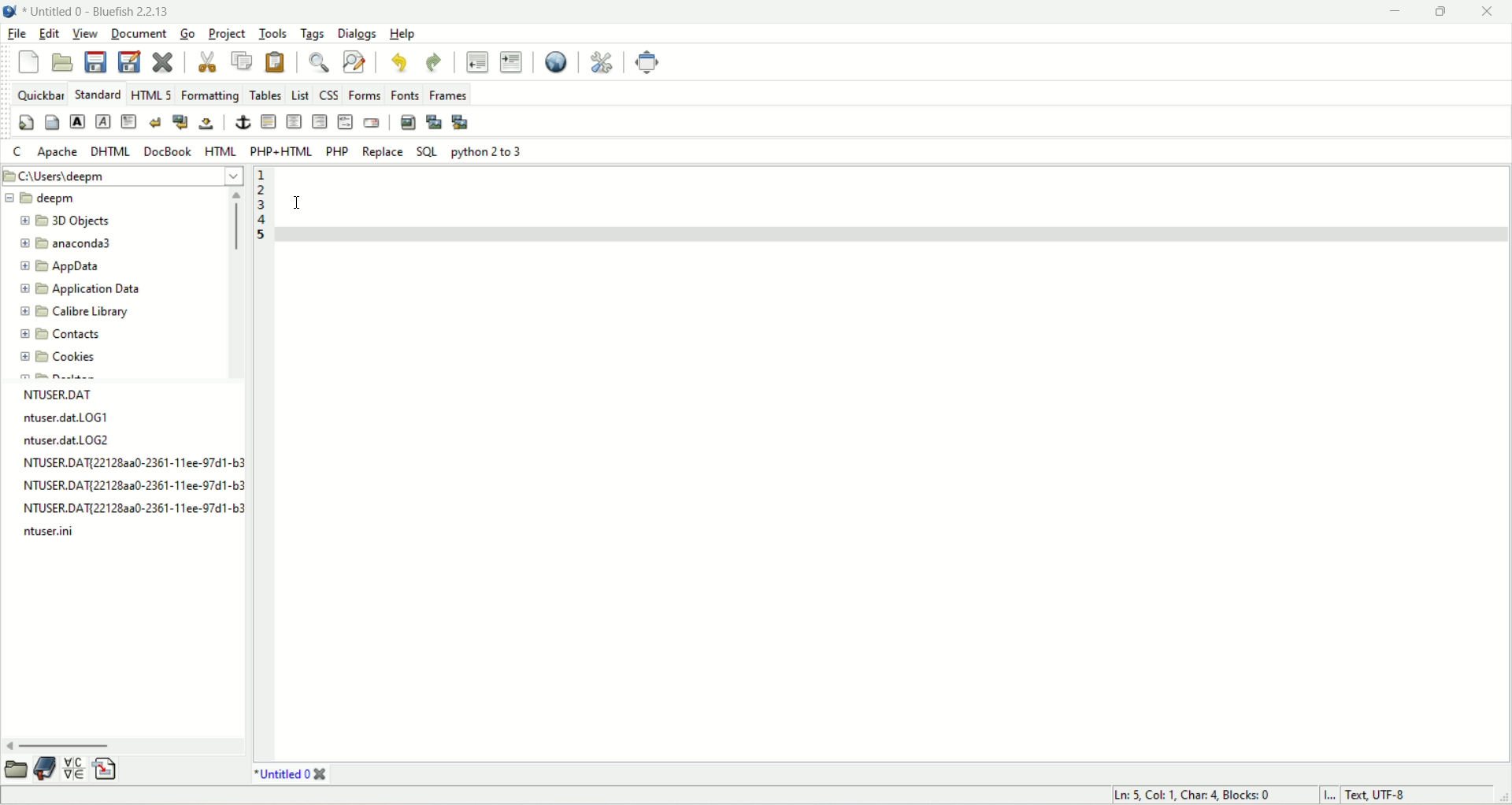 This screenshot has width=1512, height=805. Describe the element at coordinates (188, 35) in the screenshot. I see `go` at that location.